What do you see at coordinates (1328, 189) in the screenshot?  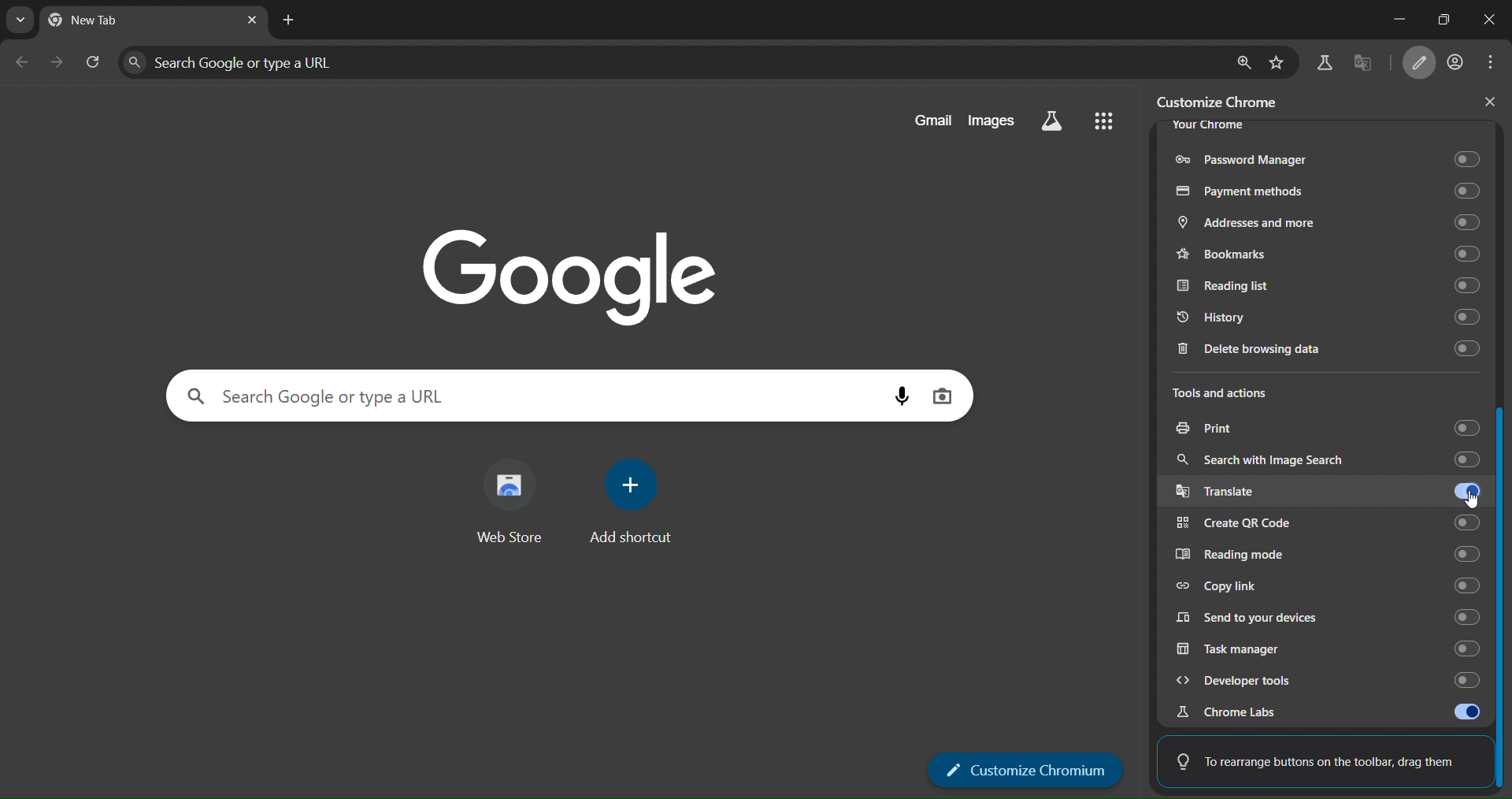 I see `payments methods` at bounding box center [1328, 189].